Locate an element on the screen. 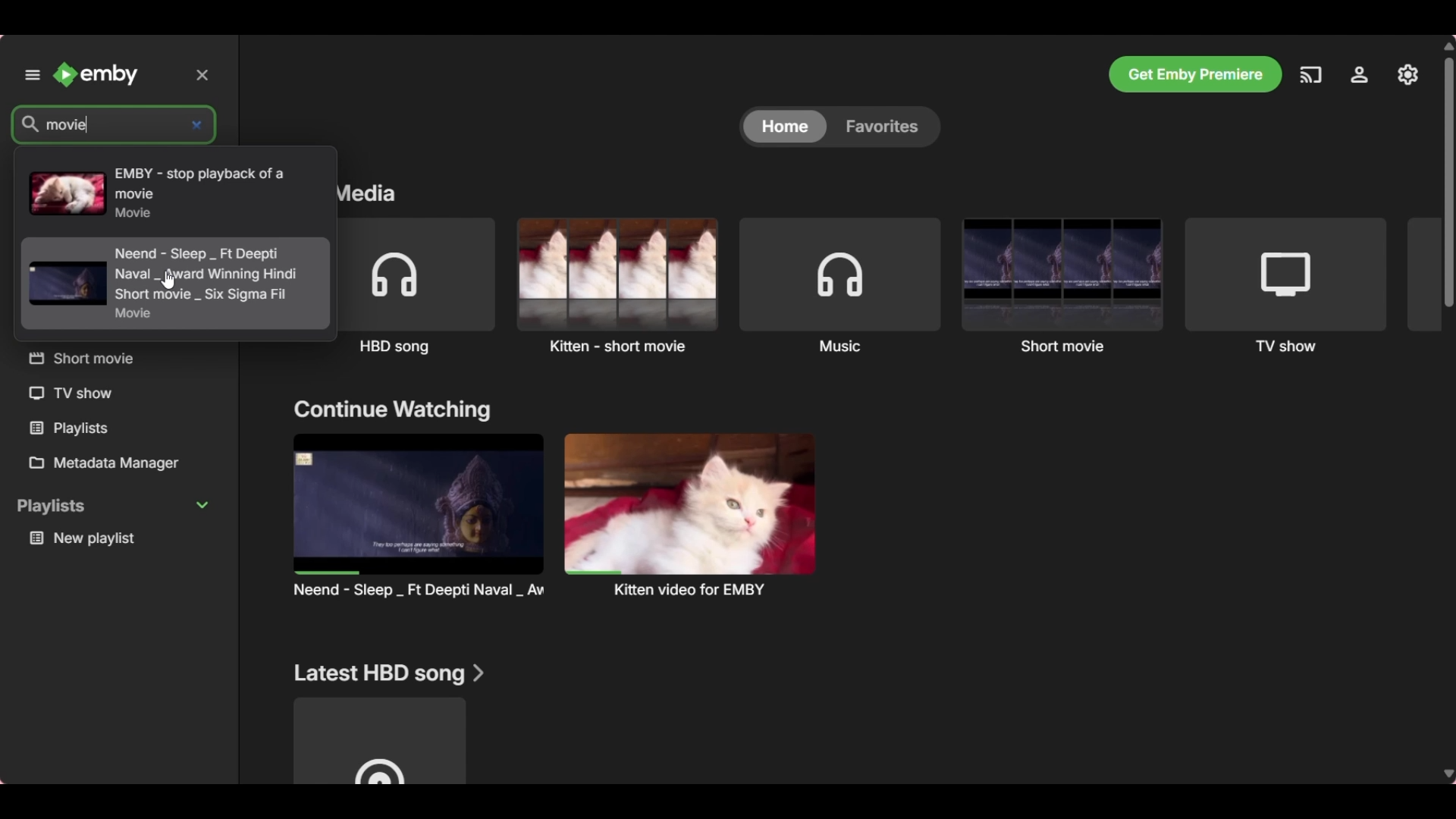 This screenshot has height=819, width=1456. Preview and title of media files under above mention section is located at coordinates (418, 516).